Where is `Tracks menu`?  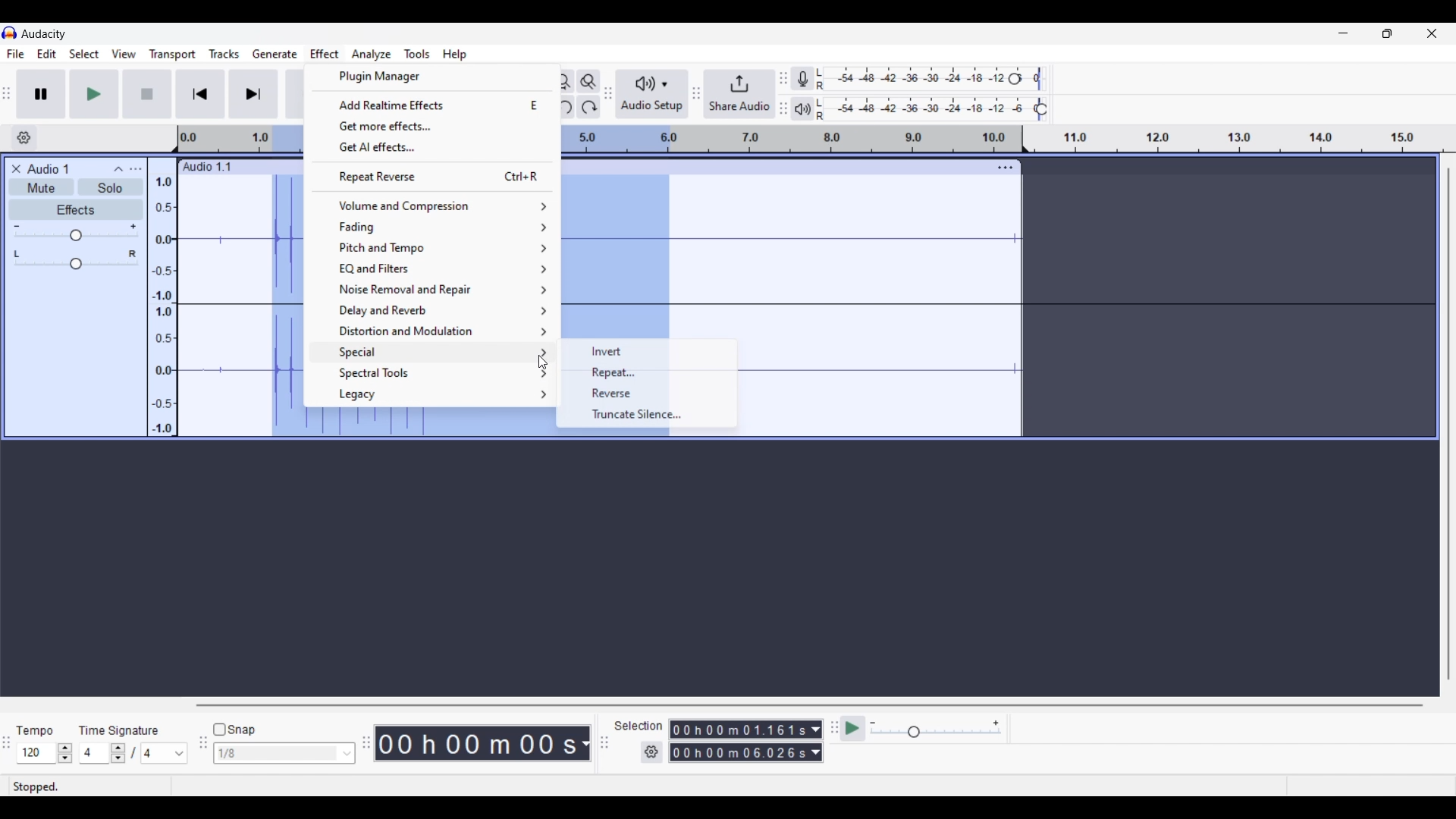 Tracks menu is located at coordinates (224, 54).